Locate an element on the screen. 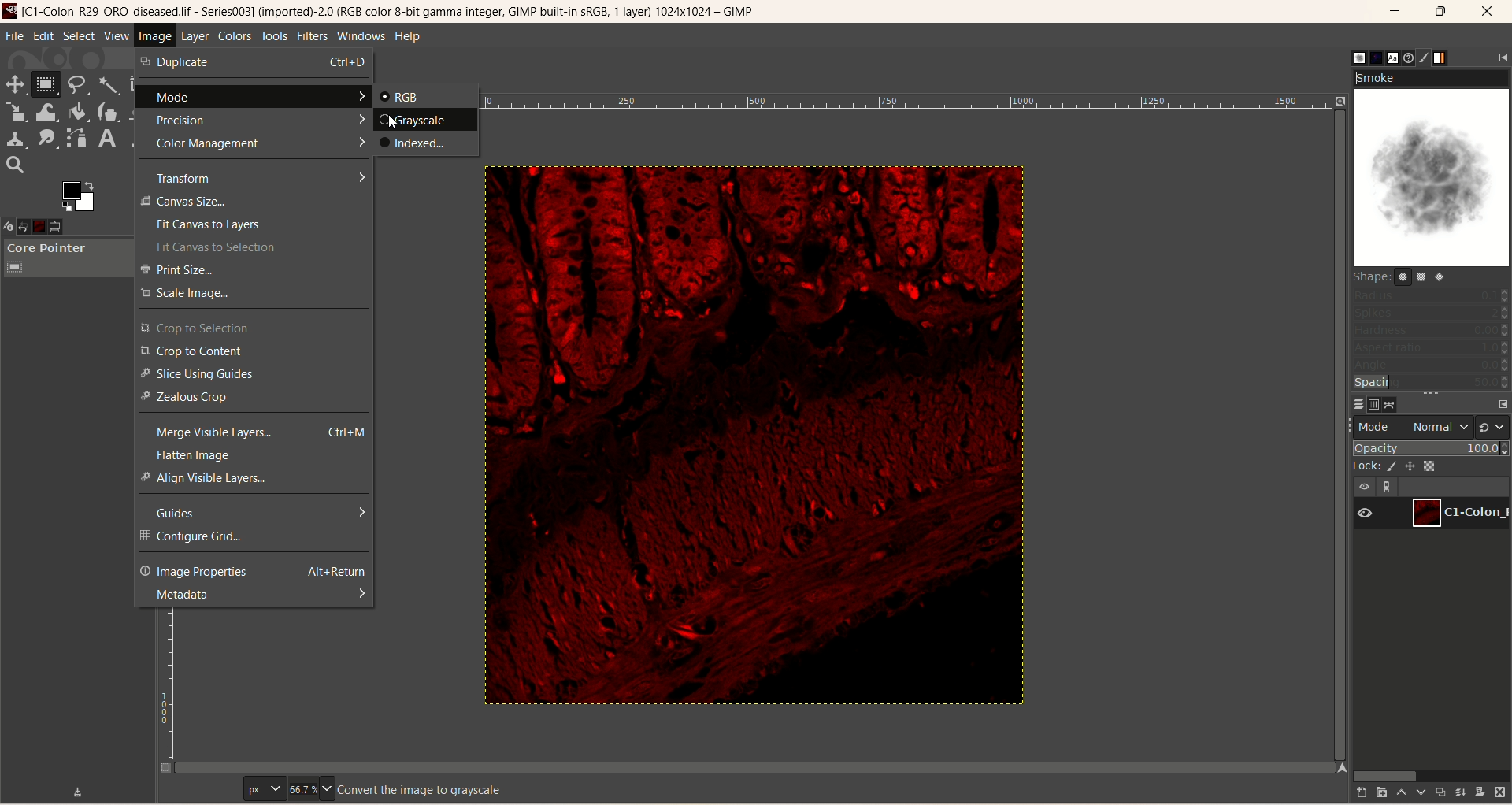 This screenshot has width=1512, height=805. scale image is located at coordinates (252, 294).